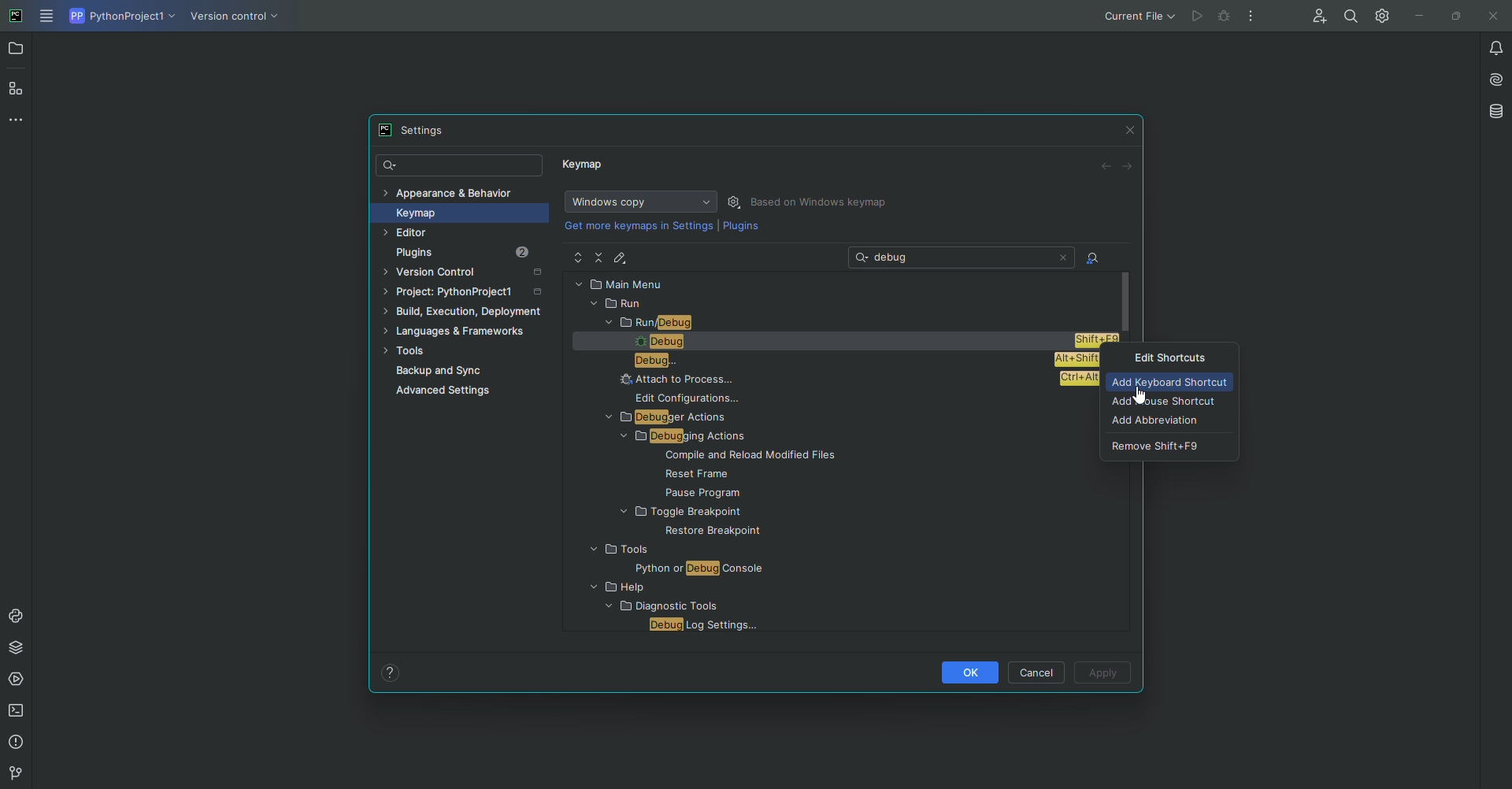  What do you see at coordinates (468, 274) in the screenshot?
I see `Version Control` at bounding box center [468, 274].